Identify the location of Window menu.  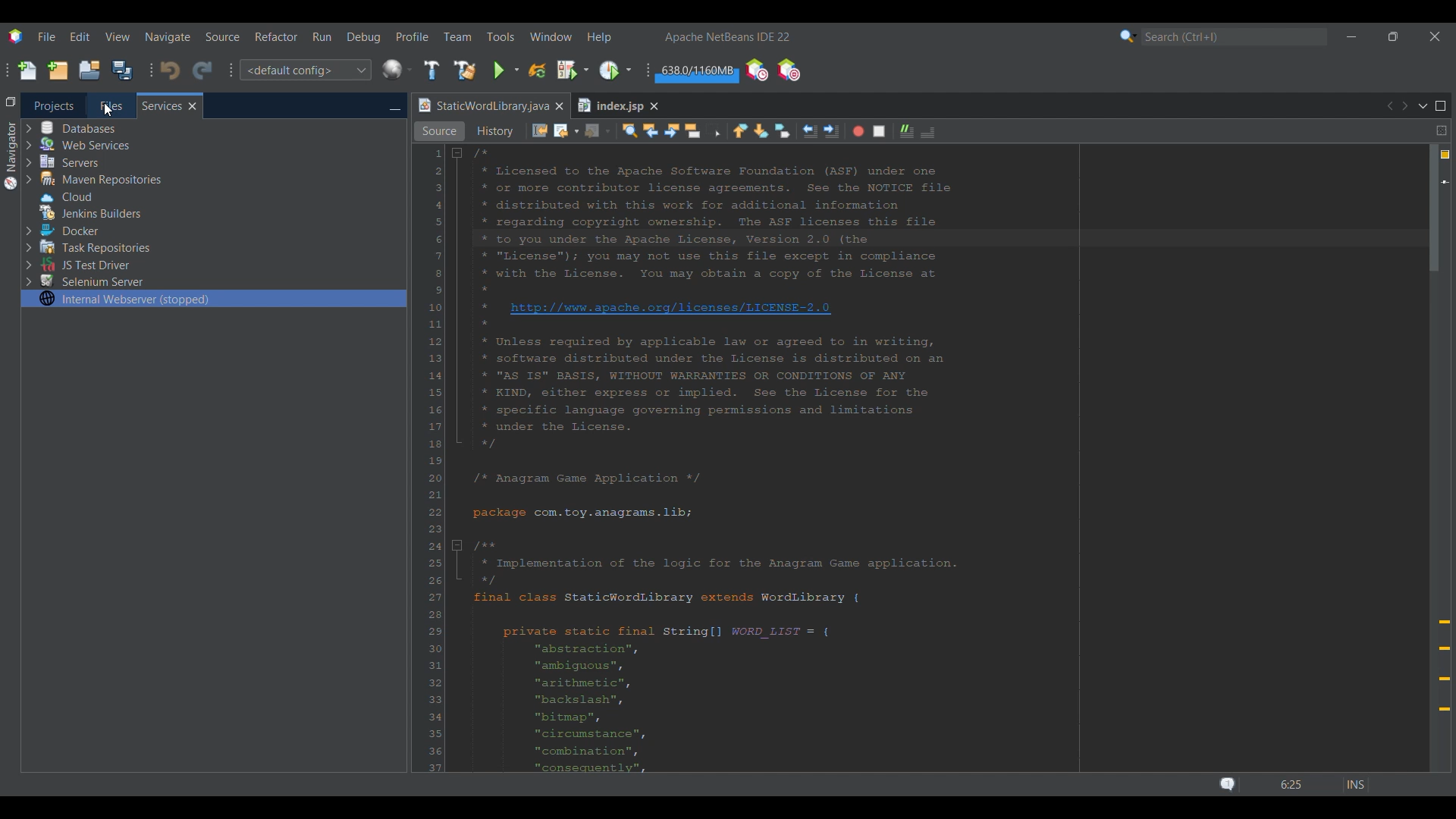
(551, 36).